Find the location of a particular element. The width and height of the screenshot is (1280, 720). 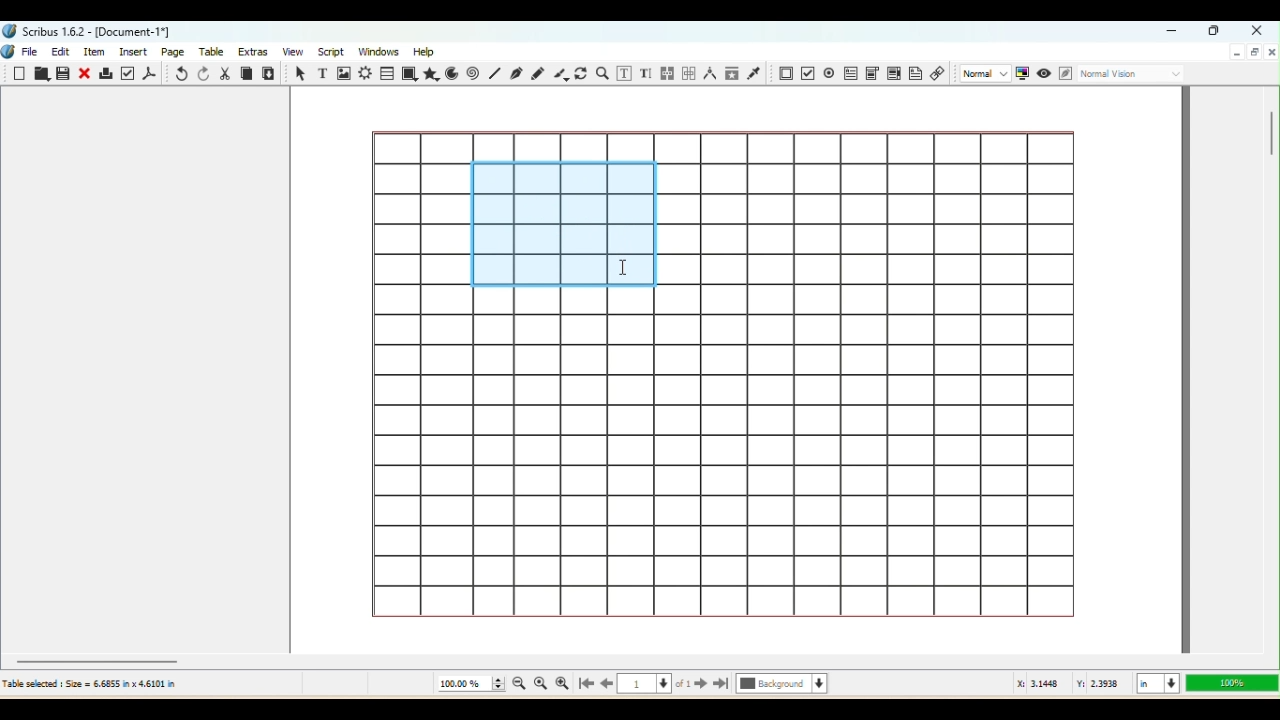

Item is located at coordinates (98, 52).